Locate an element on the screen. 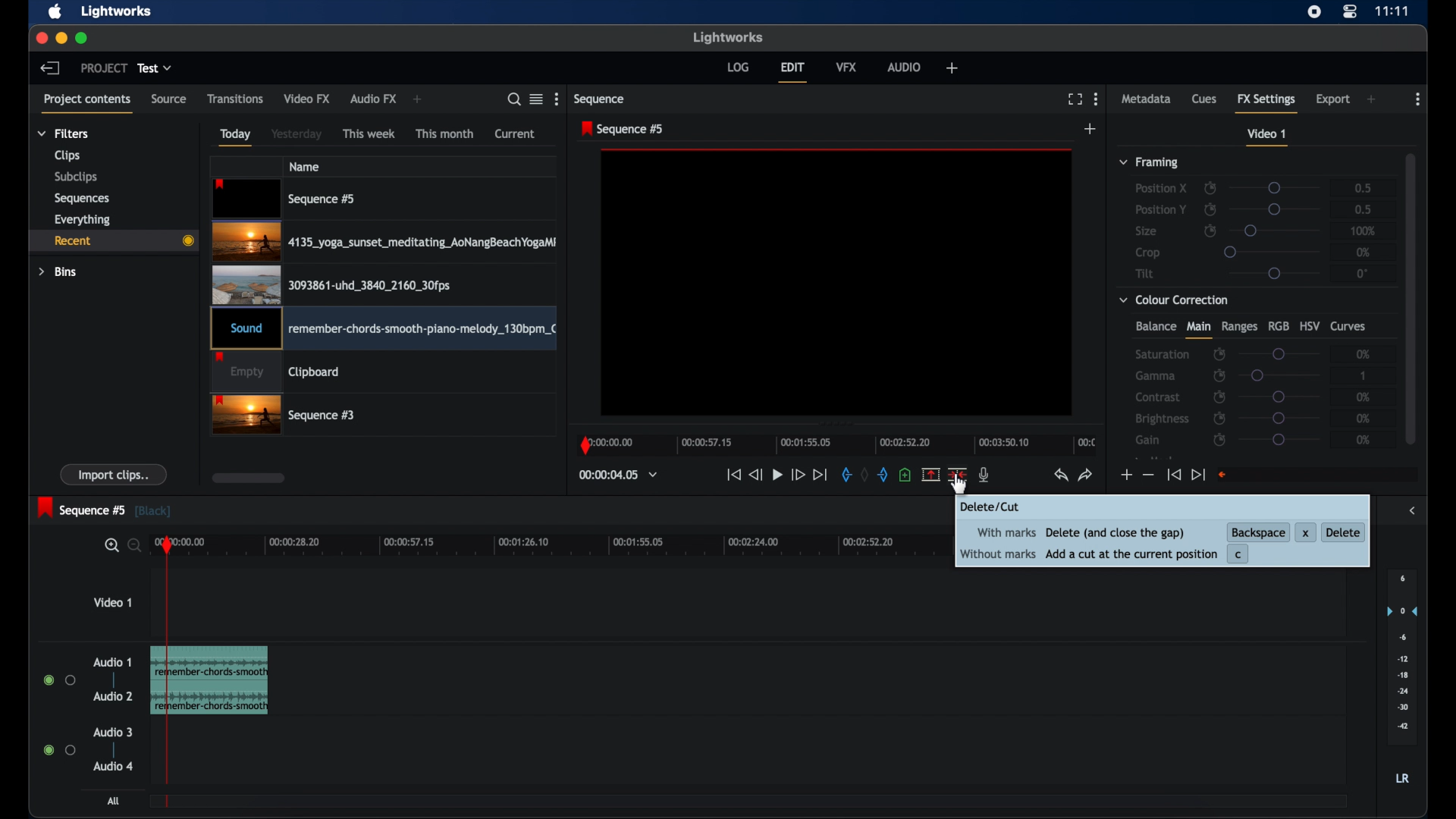 This screenshot has height=819, width=1456. add is located at coordinates (1371, 99).